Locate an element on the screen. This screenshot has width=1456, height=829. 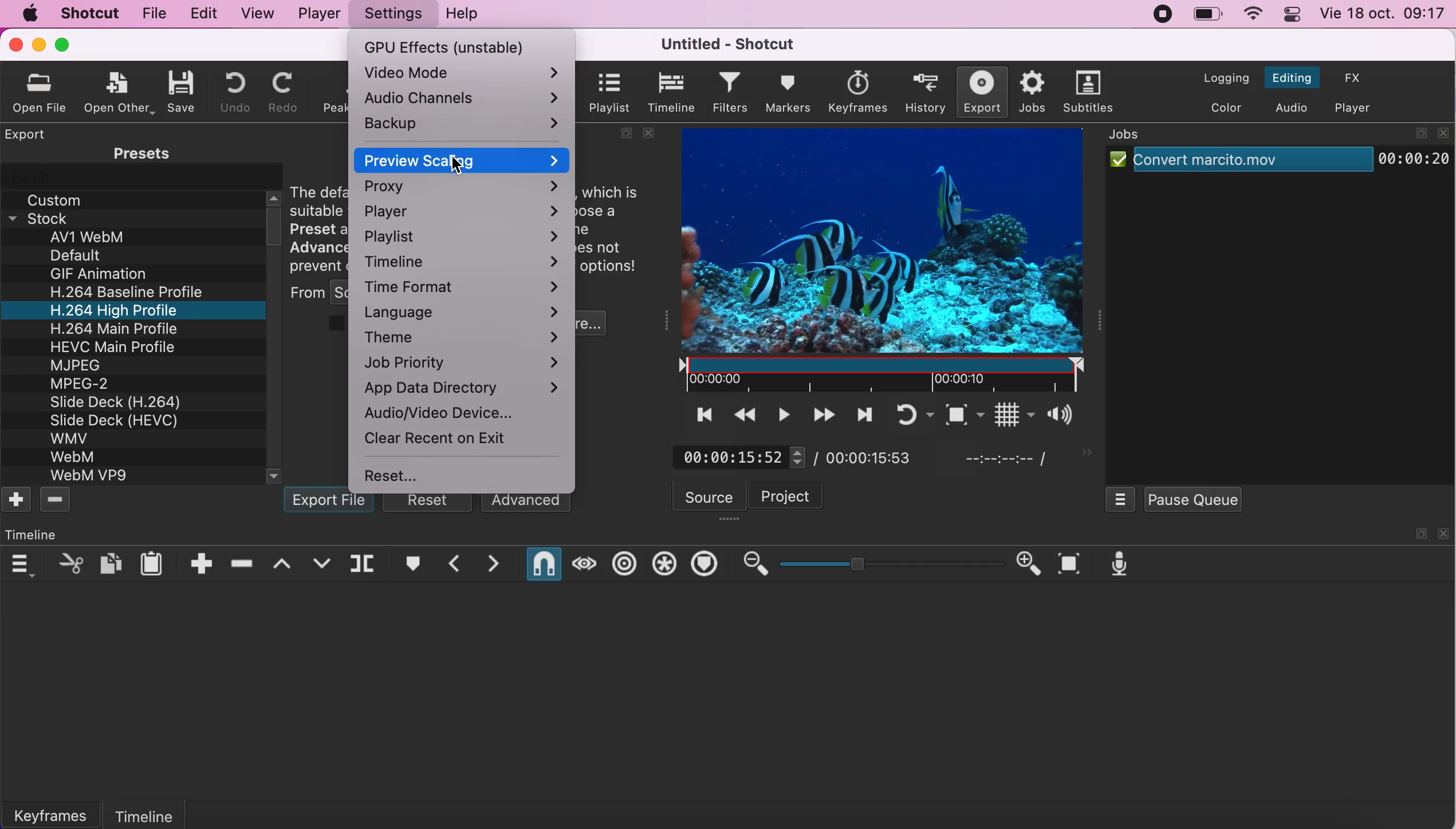
play quickly forwards is located at coordinates (824, 414).